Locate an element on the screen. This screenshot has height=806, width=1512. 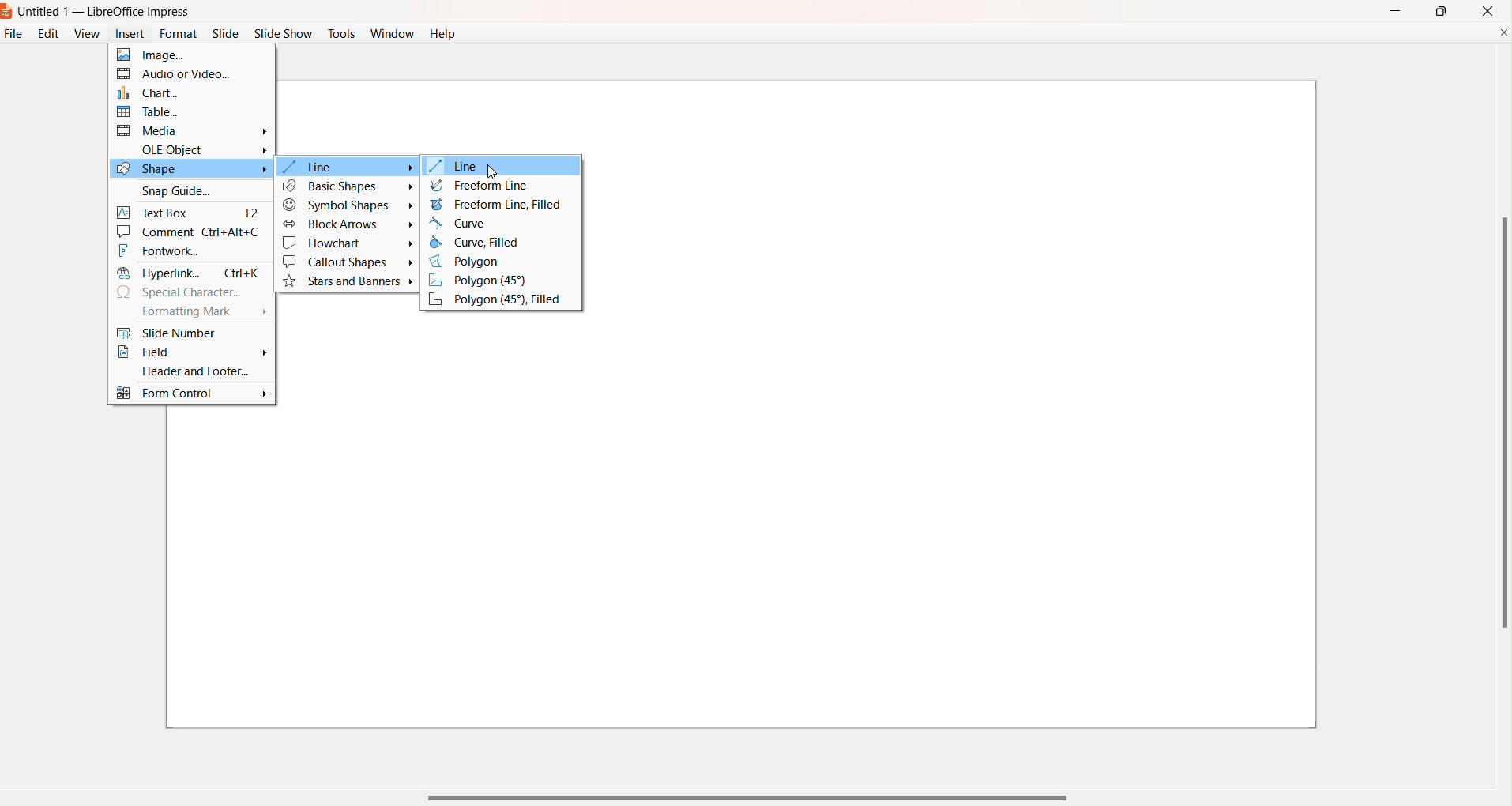
Formatting Mark is located at coordinates (200, 314).